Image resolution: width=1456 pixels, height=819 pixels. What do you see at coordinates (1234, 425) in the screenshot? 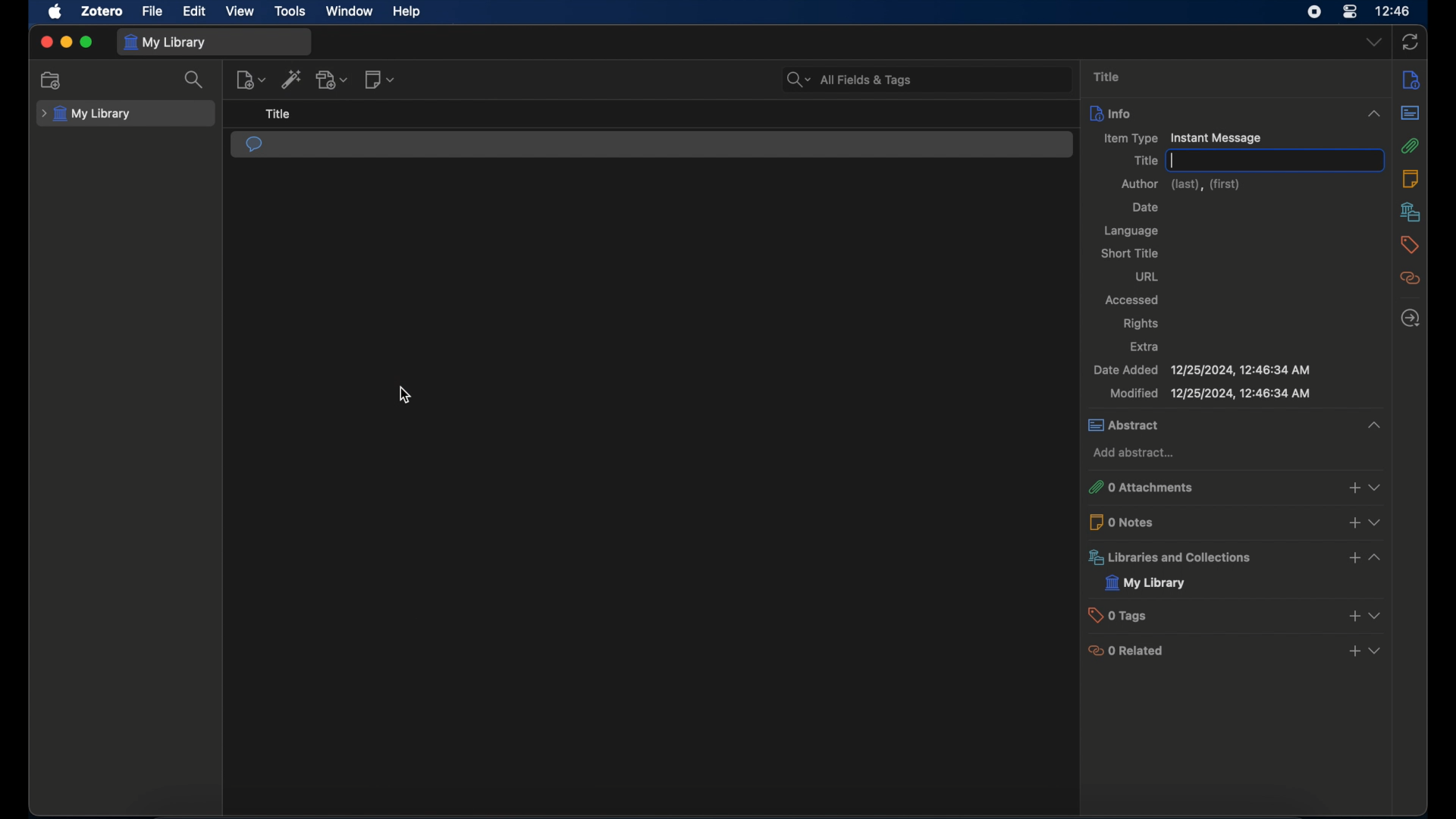
I see `abstract` at bounding box center [1234, 425].